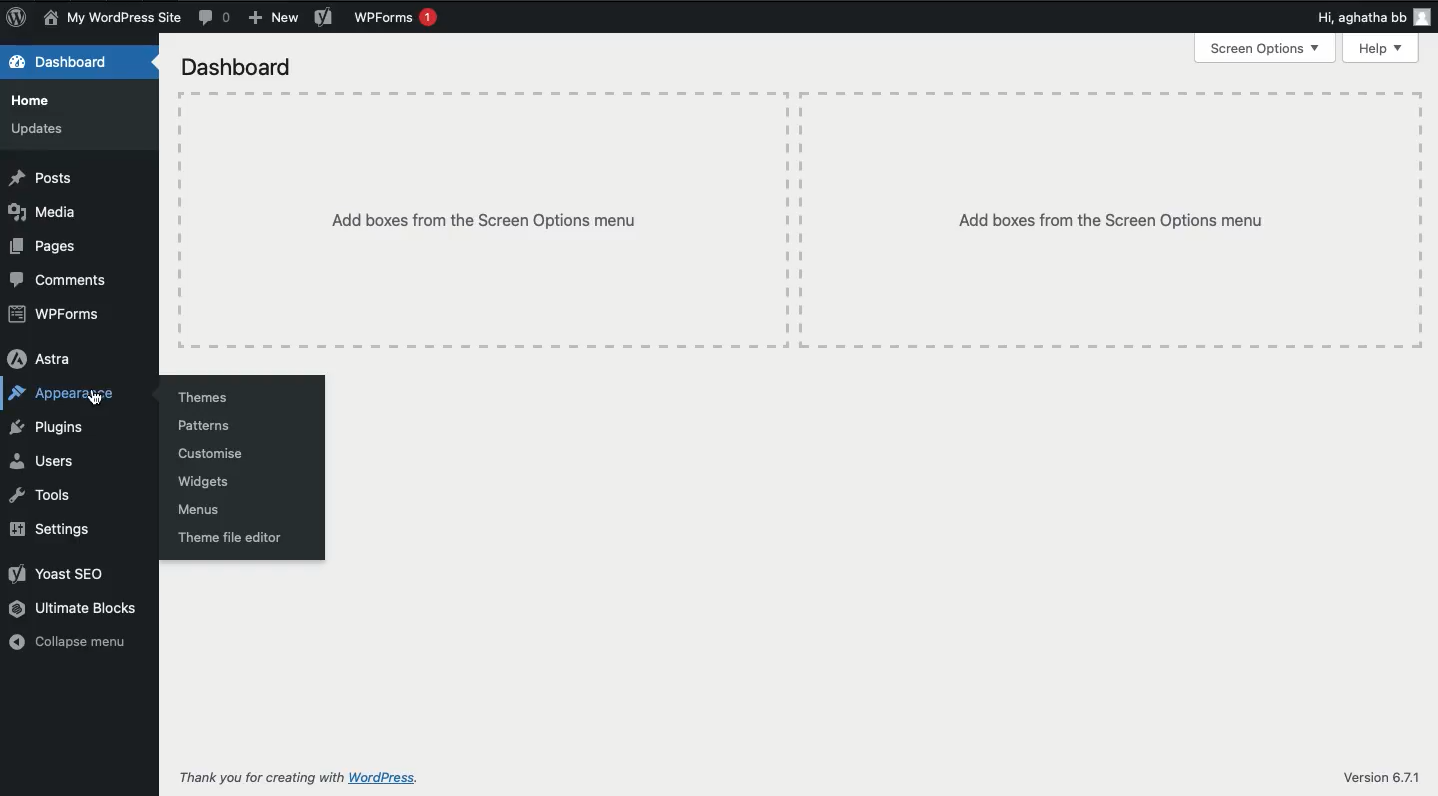 The height and width of the screenshot is (796, 1438). I want to click on Pages, so click(48, 247).